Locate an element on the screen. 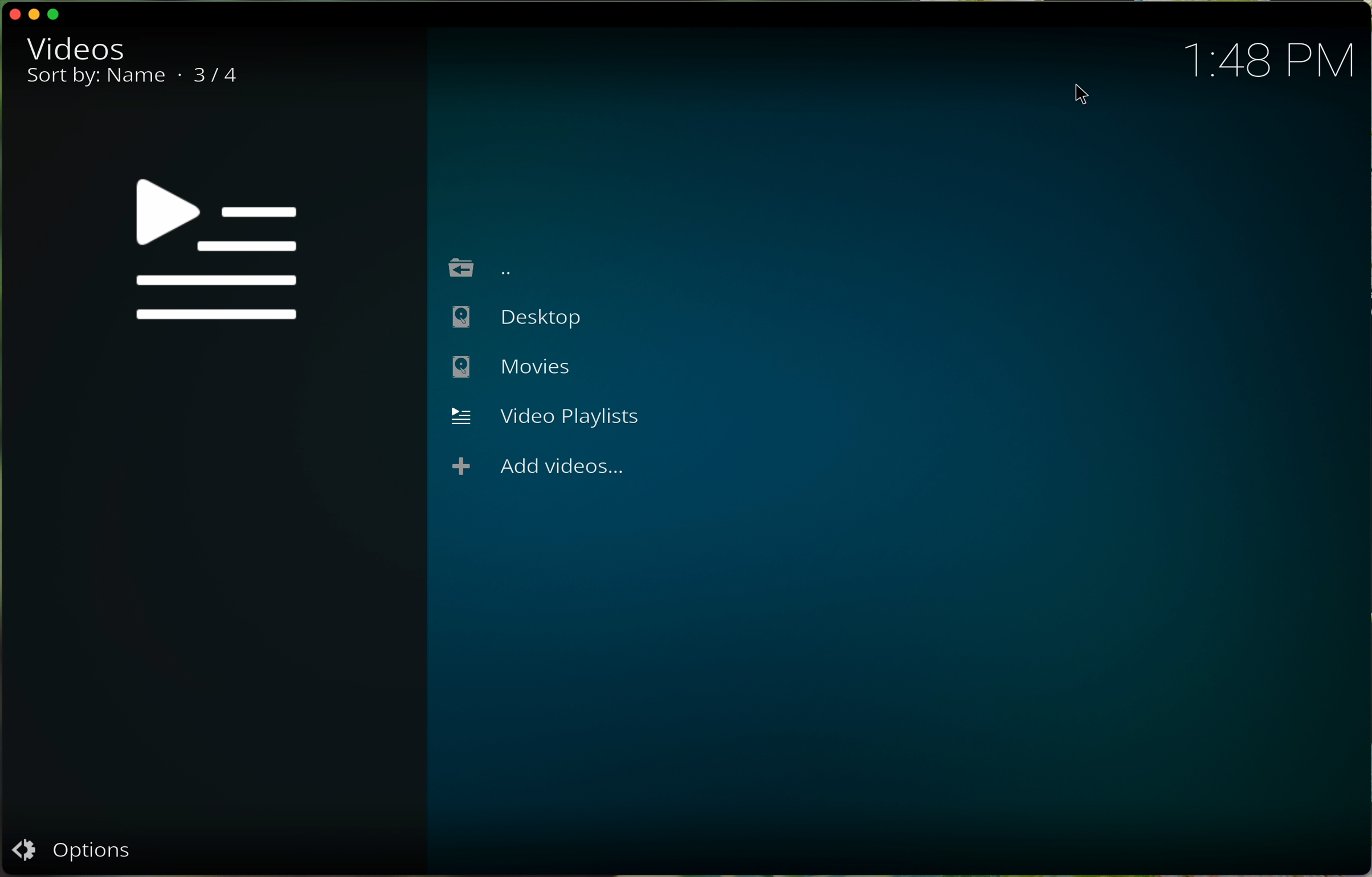  . is located at coordinates (179, 74).